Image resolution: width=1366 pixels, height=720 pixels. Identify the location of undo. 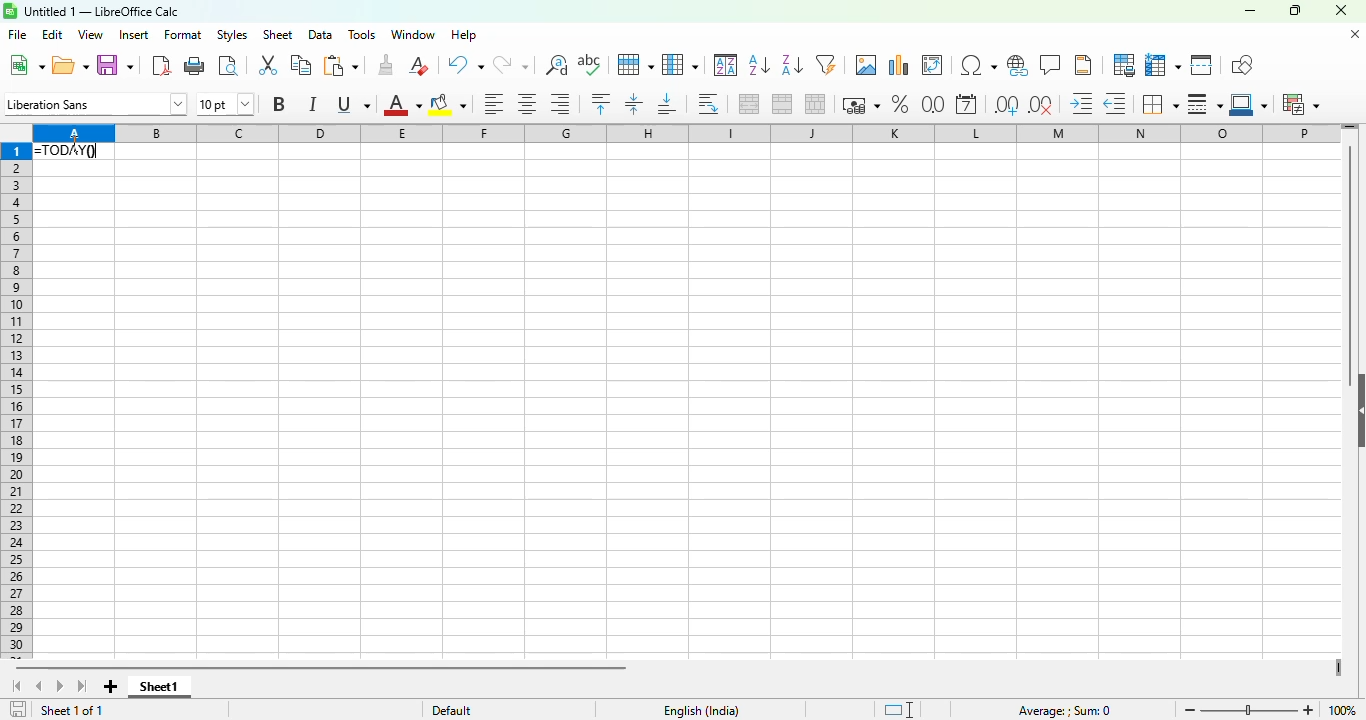
(464, 65).